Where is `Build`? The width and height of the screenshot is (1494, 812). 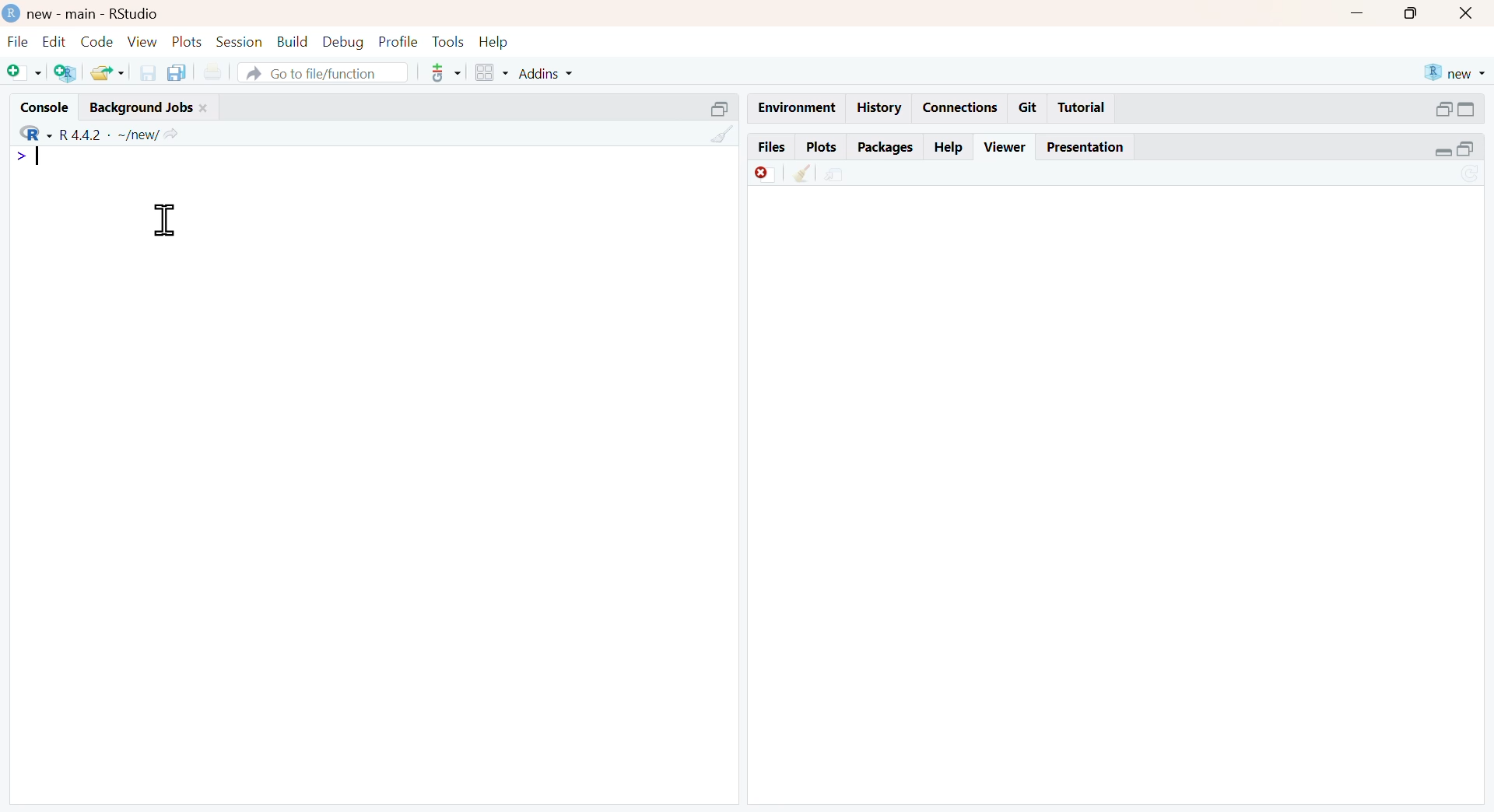
Build is located at coordinates (288, 40).